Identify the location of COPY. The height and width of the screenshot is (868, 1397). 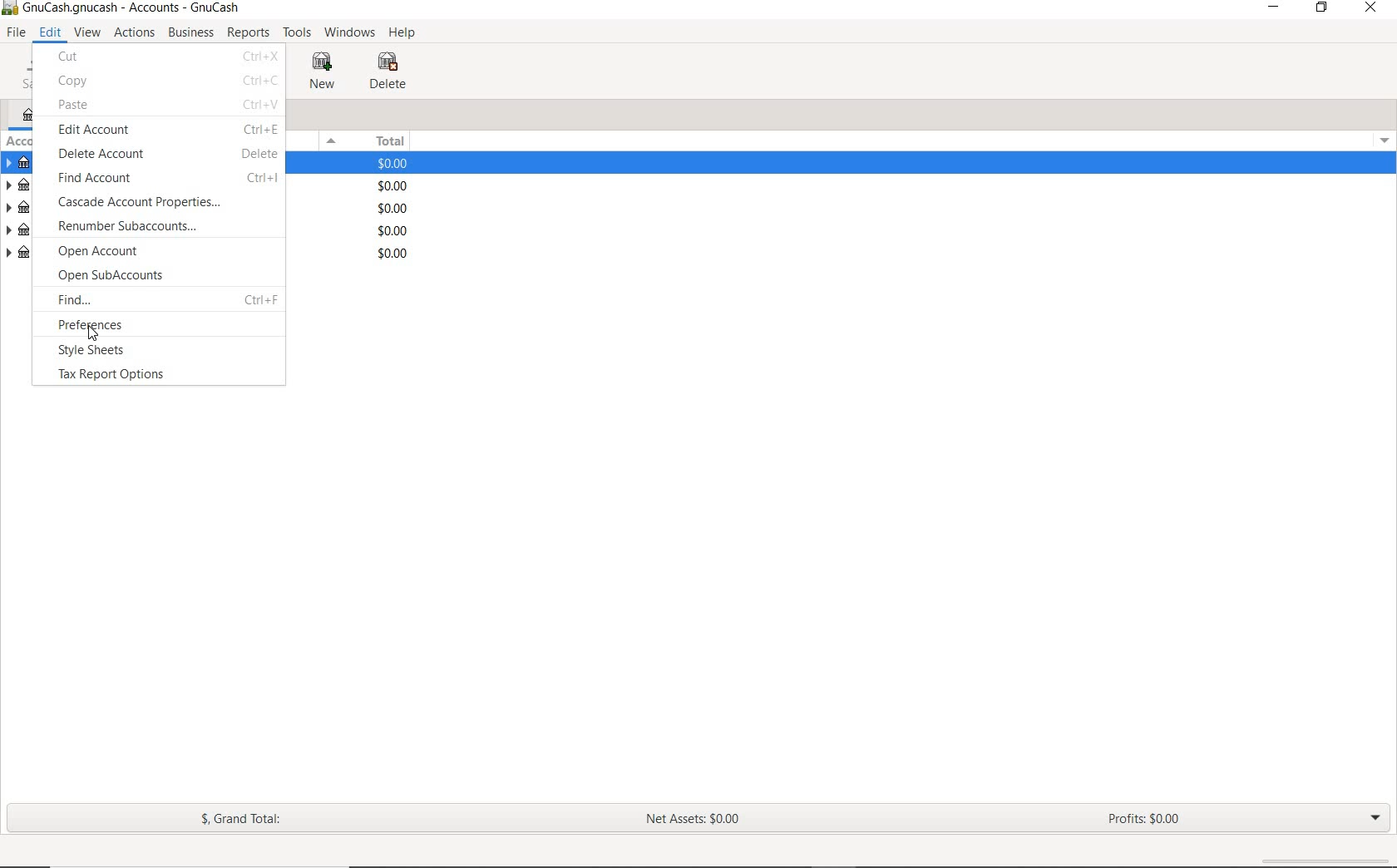
(165, 80).